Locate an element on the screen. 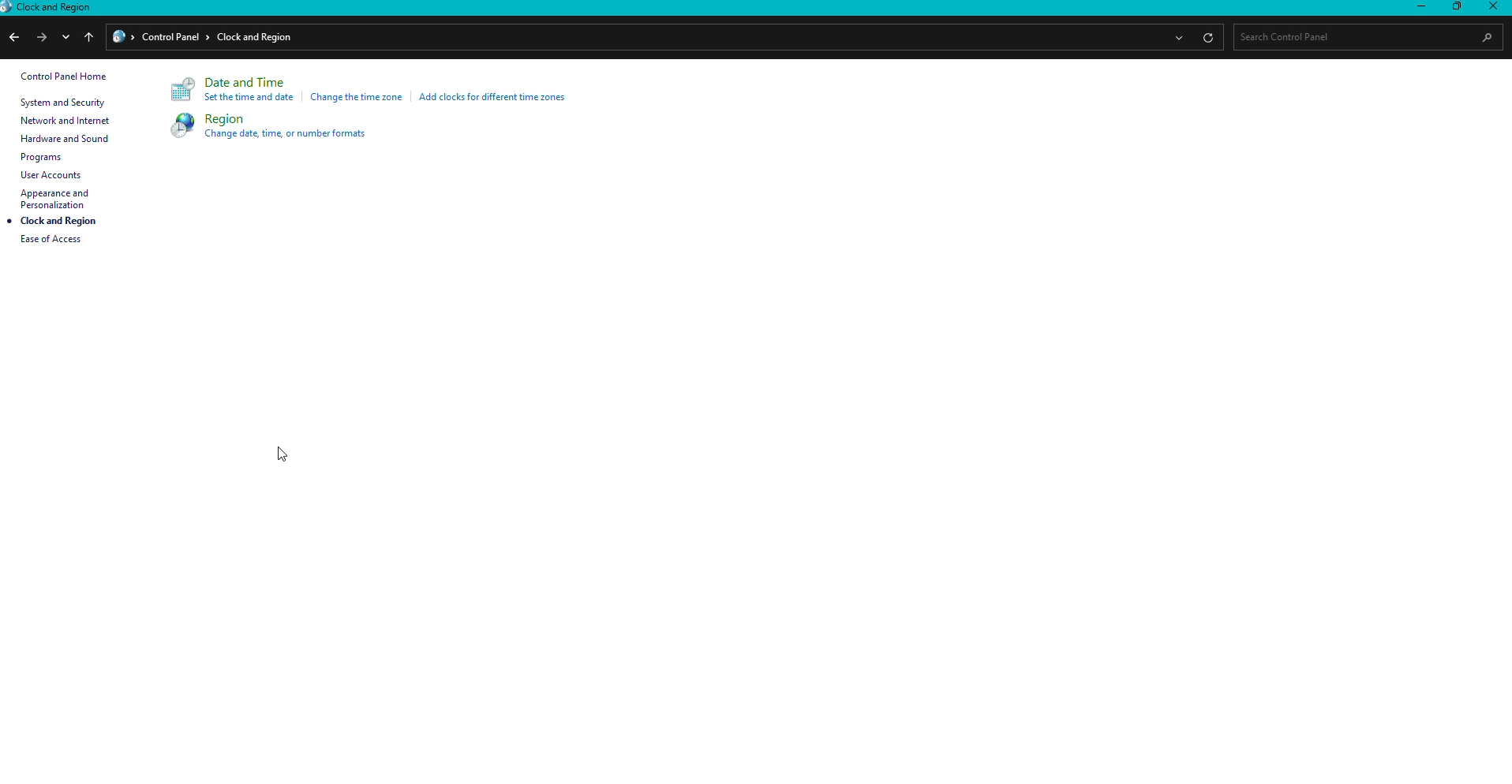 The image size is (1512, 784). Logo is located at coordinates (177, 125).